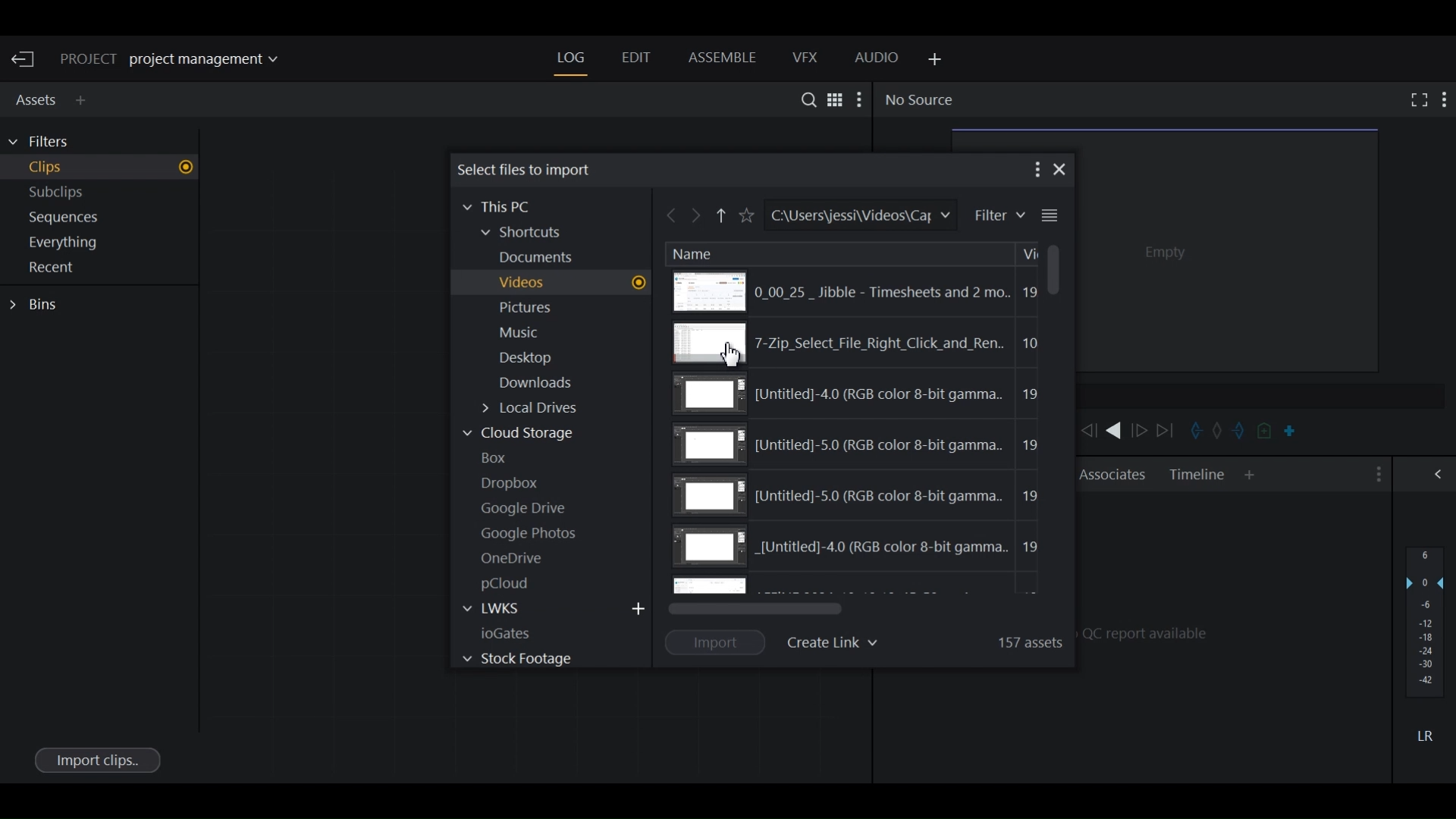 This screenshot has width=1456, height=819. What do you see at coordinates (806, 58) in the screenshot?
I see `VFX` at bounding box center [806, 58].